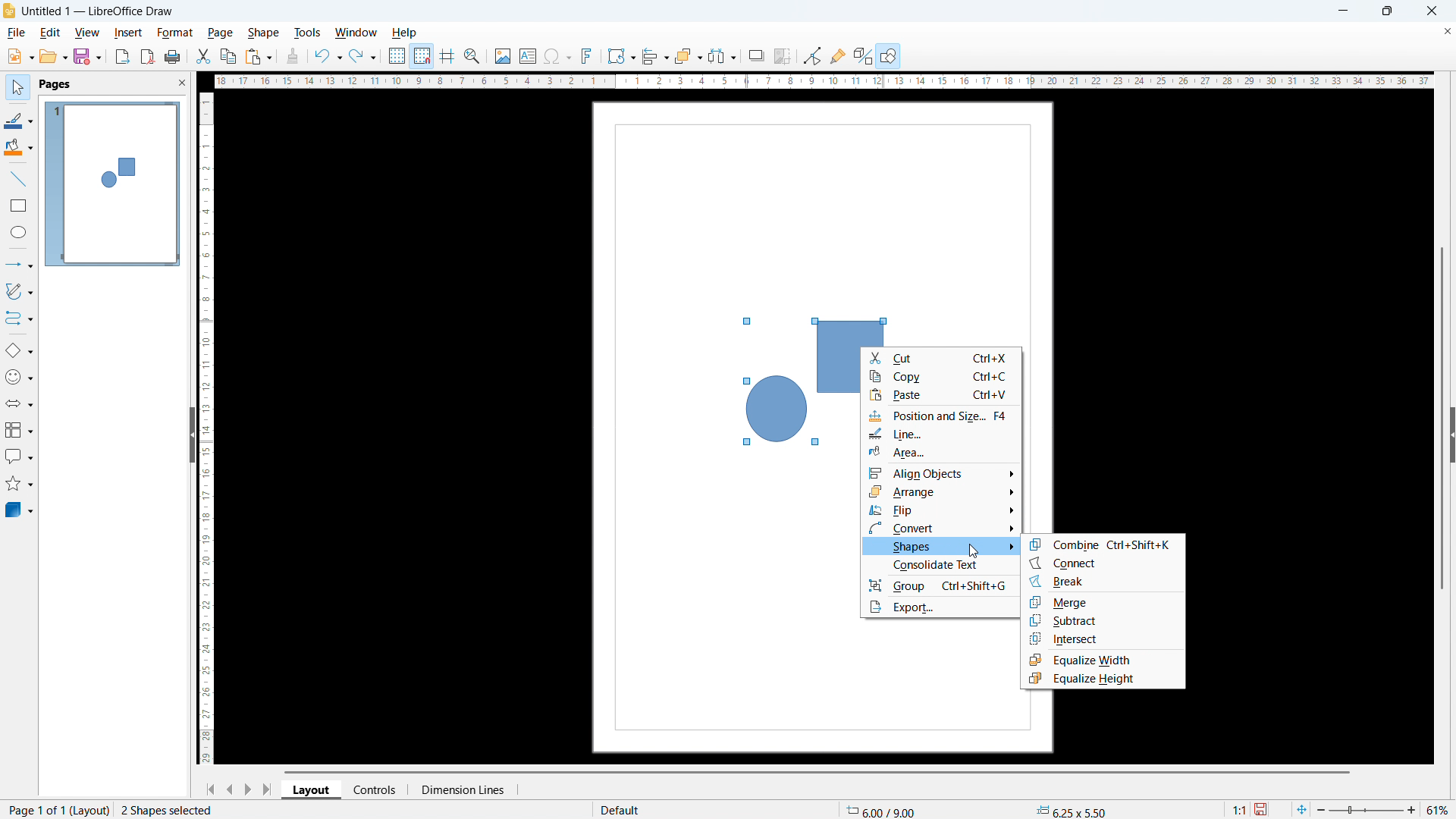 The height and width of the screenshot is (819, 1456). I want to click on group, so click(940, 585).